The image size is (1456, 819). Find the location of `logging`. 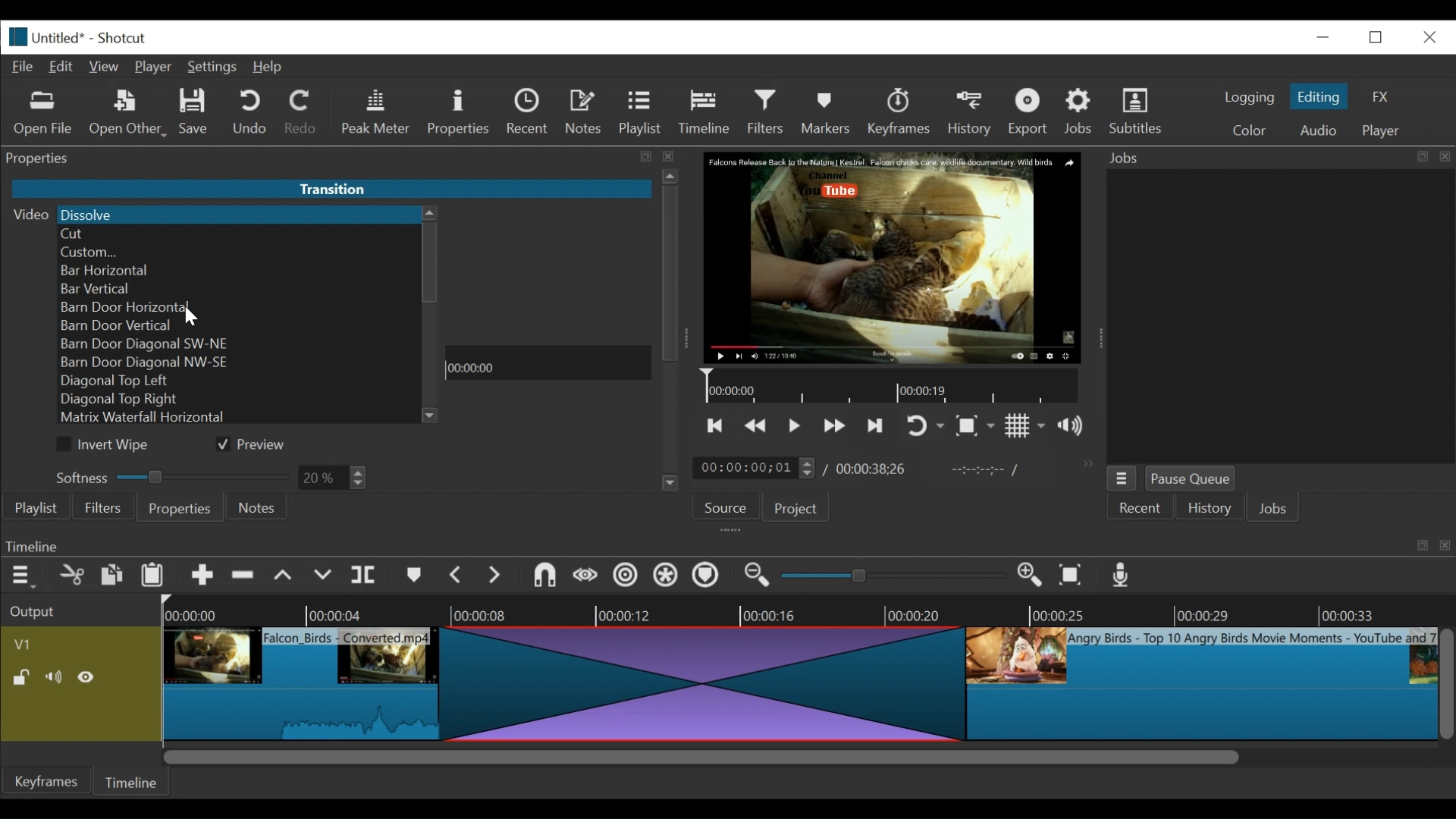

logging is located at coordinates (1248, 97).